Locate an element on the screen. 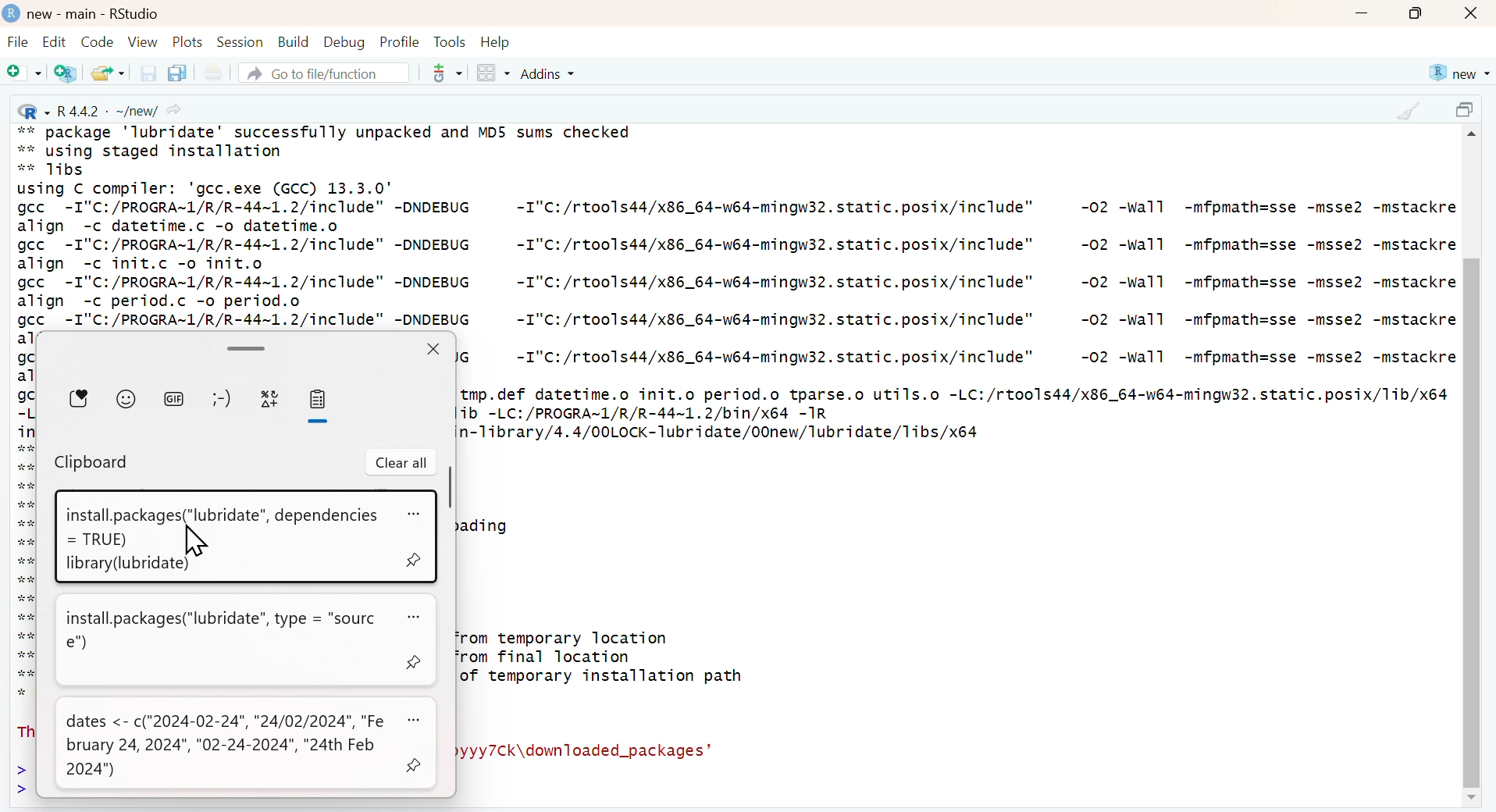  Workspace panes is located at coordinates (493, 74).